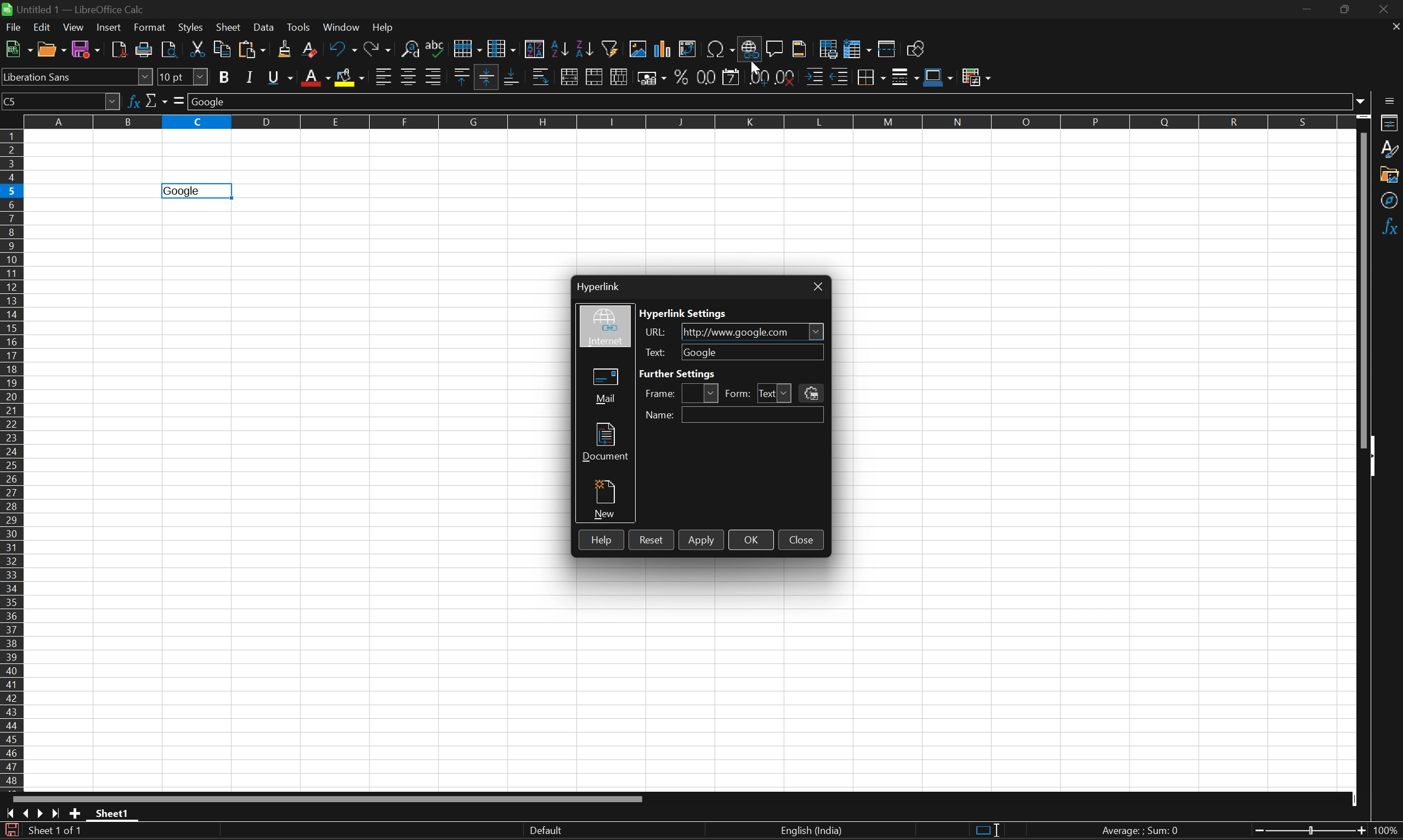 The height and width of the screenshot is (840, 1403). What do you see at coordinates (705, 78) in the screenshot?
I see `Format as number` at bounding box center [705, 78].